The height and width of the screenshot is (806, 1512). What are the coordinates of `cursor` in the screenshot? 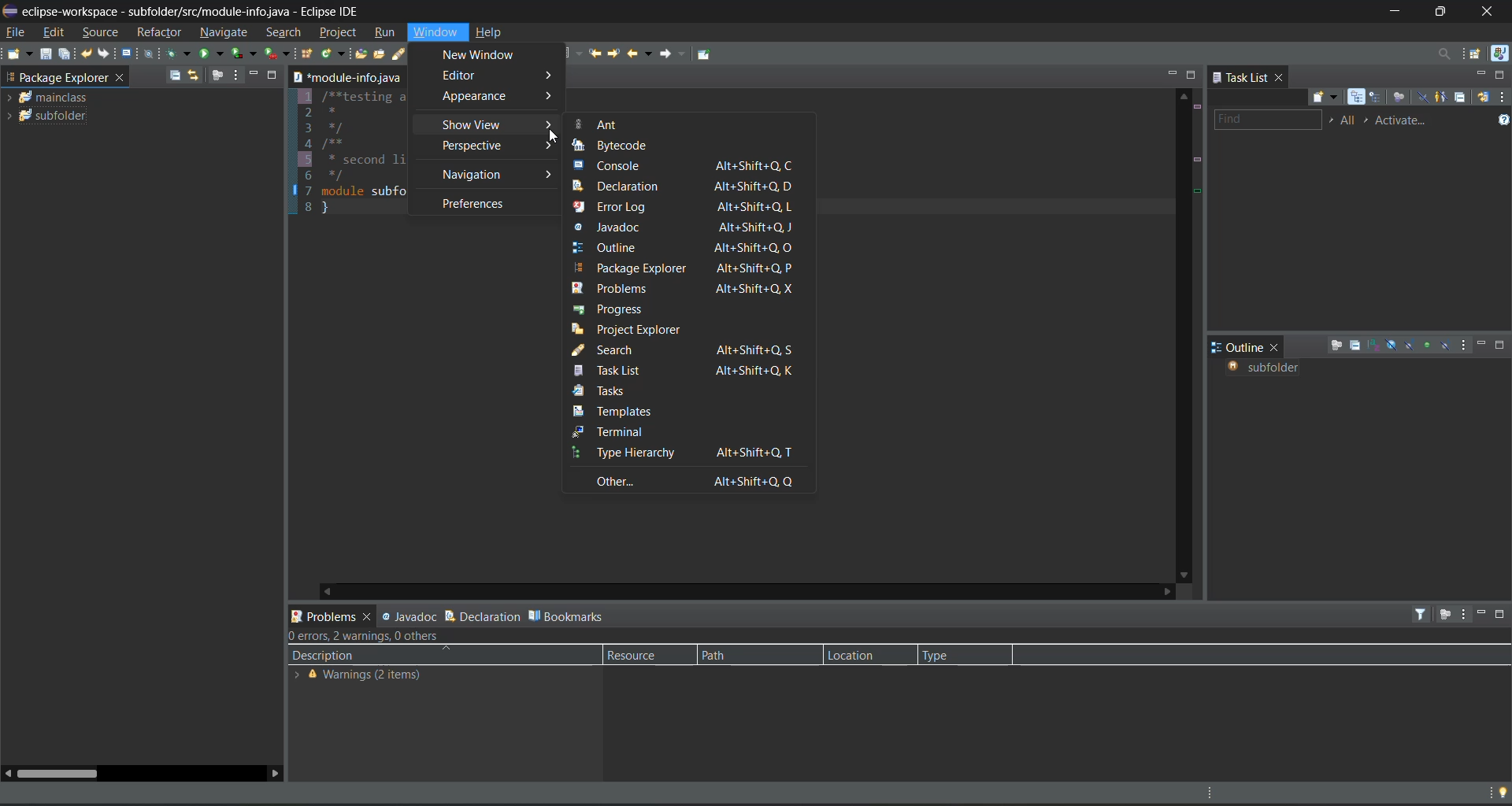 It's located at (556, 135).